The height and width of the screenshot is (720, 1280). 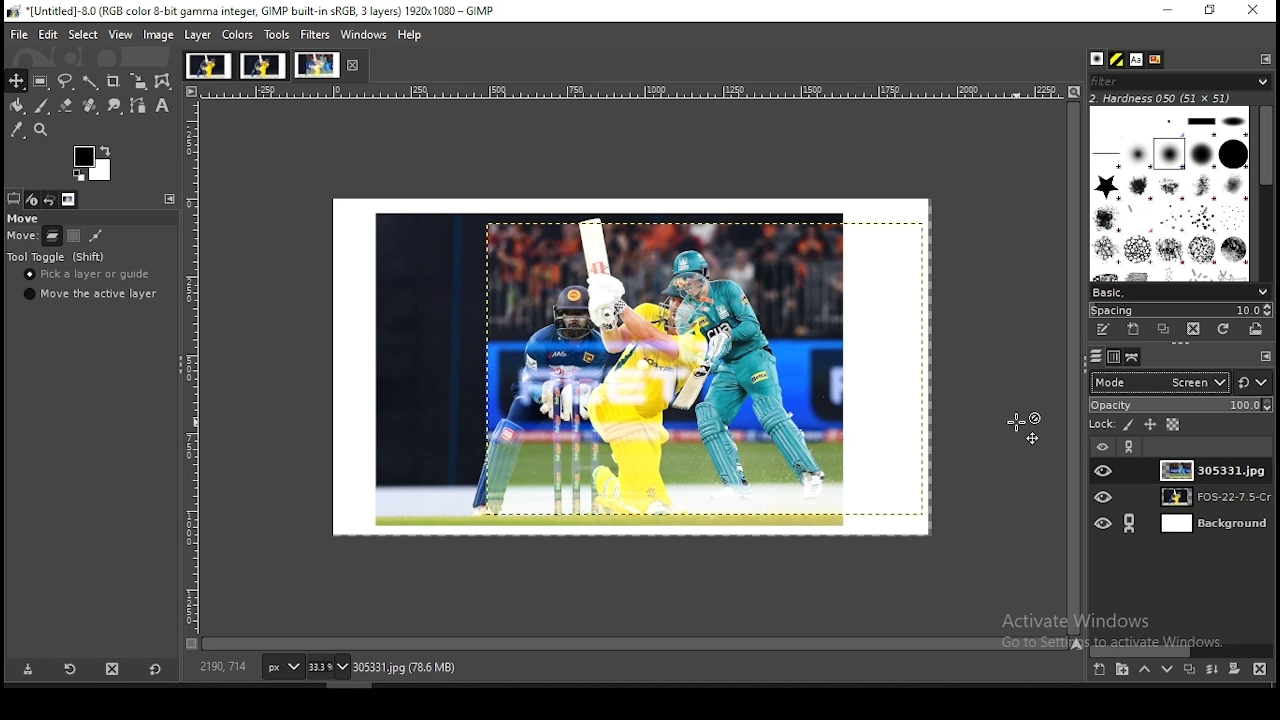 What do you see at coordinates (50, 199) in the screenshot?
I see `undo history` at bounding box center [50, 199].